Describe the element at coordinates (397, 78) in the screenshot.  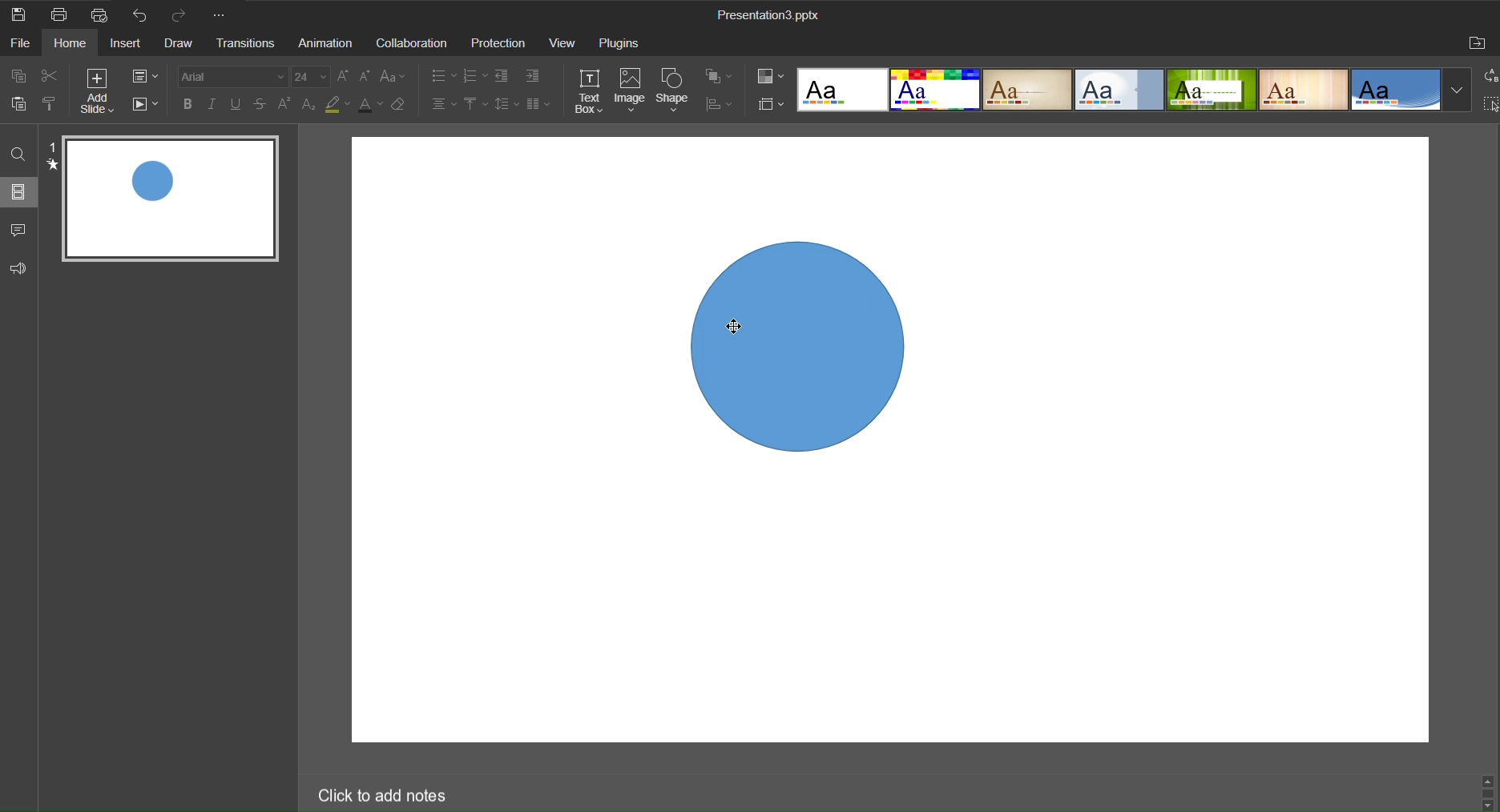
I see `Font Case Setting` at that location.